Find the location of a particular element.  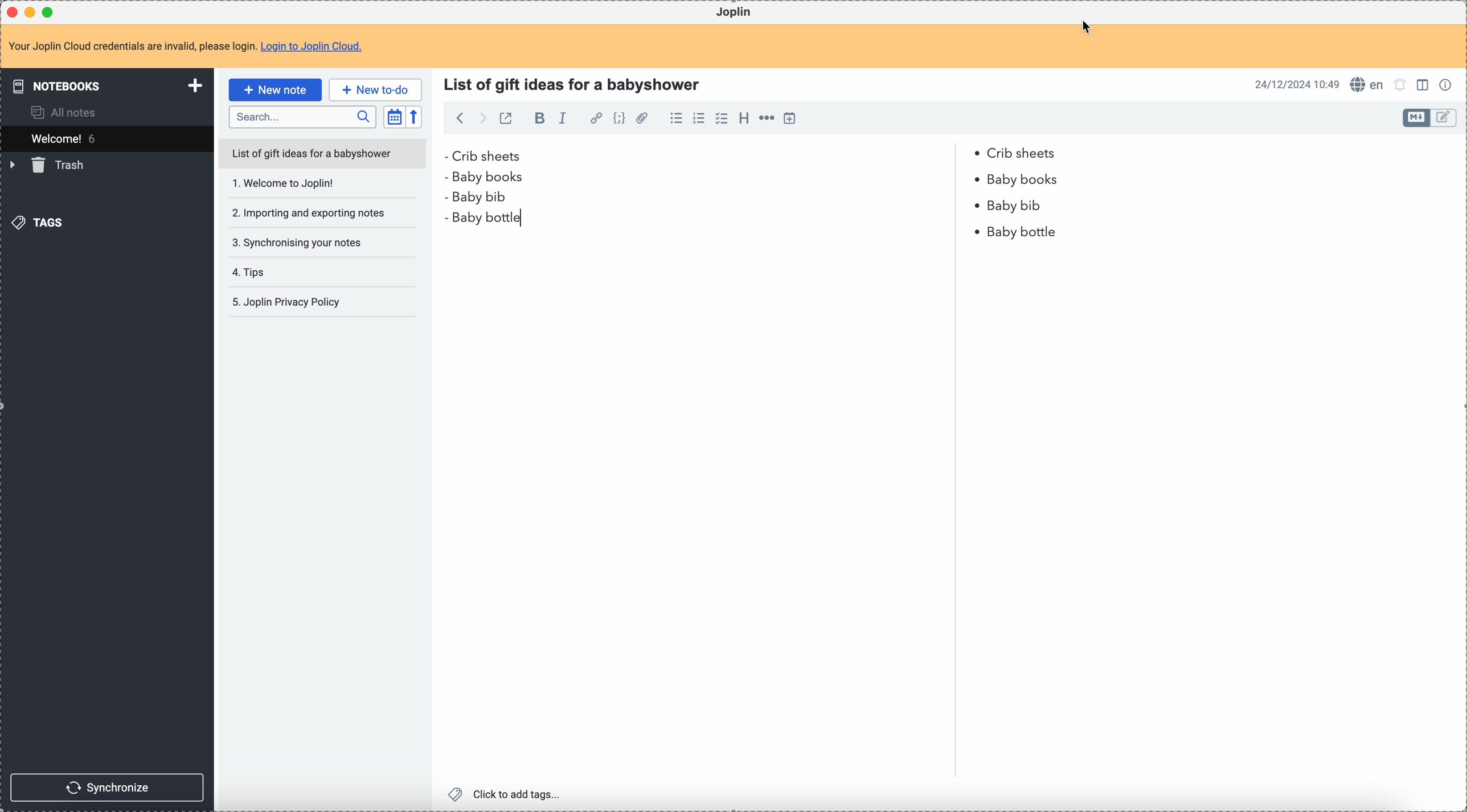

baby books is located at coordinates (1026, 180).